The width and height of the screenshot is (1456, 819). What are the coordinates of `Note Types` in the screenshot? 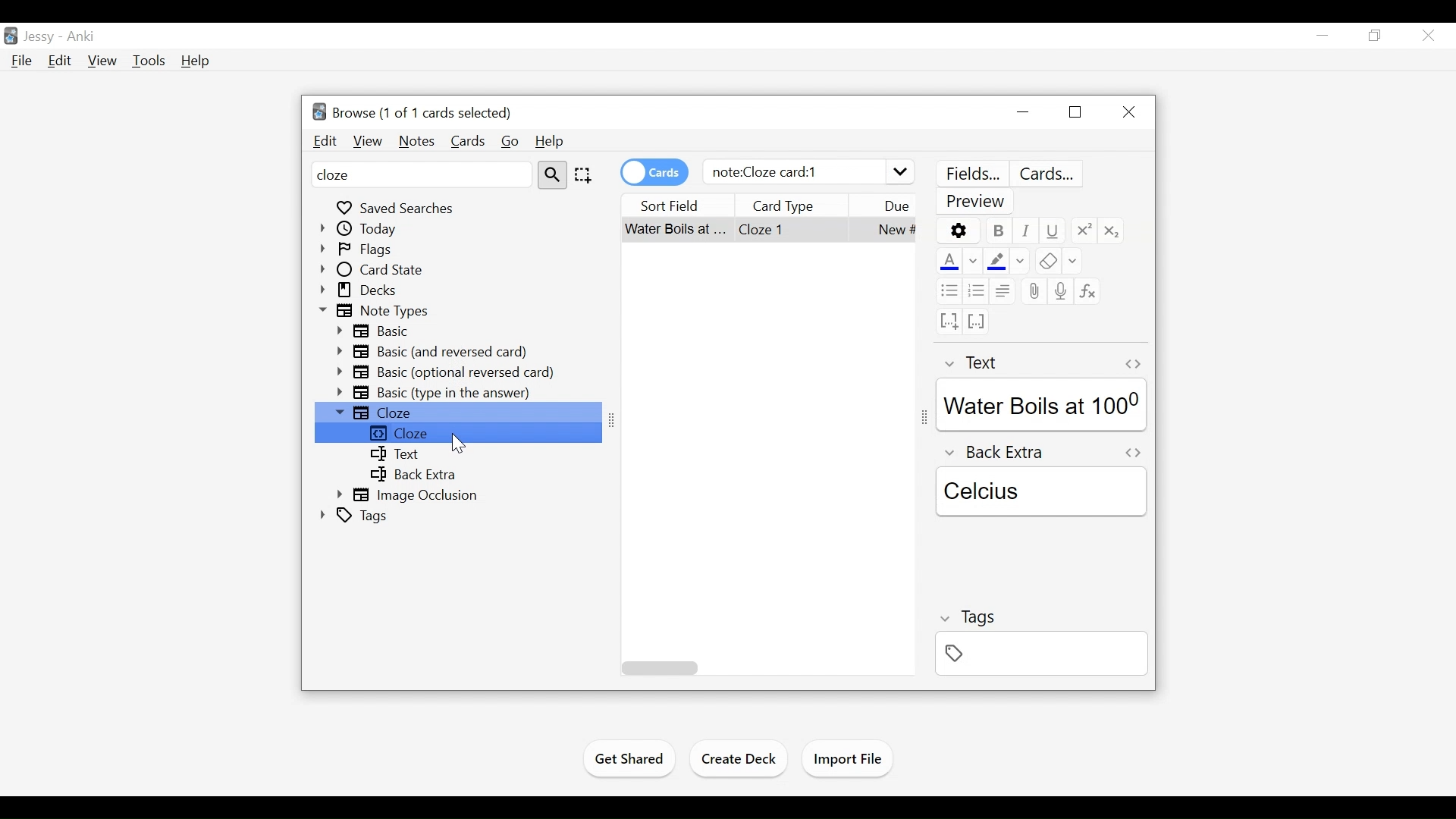 It's located at (377, 312).